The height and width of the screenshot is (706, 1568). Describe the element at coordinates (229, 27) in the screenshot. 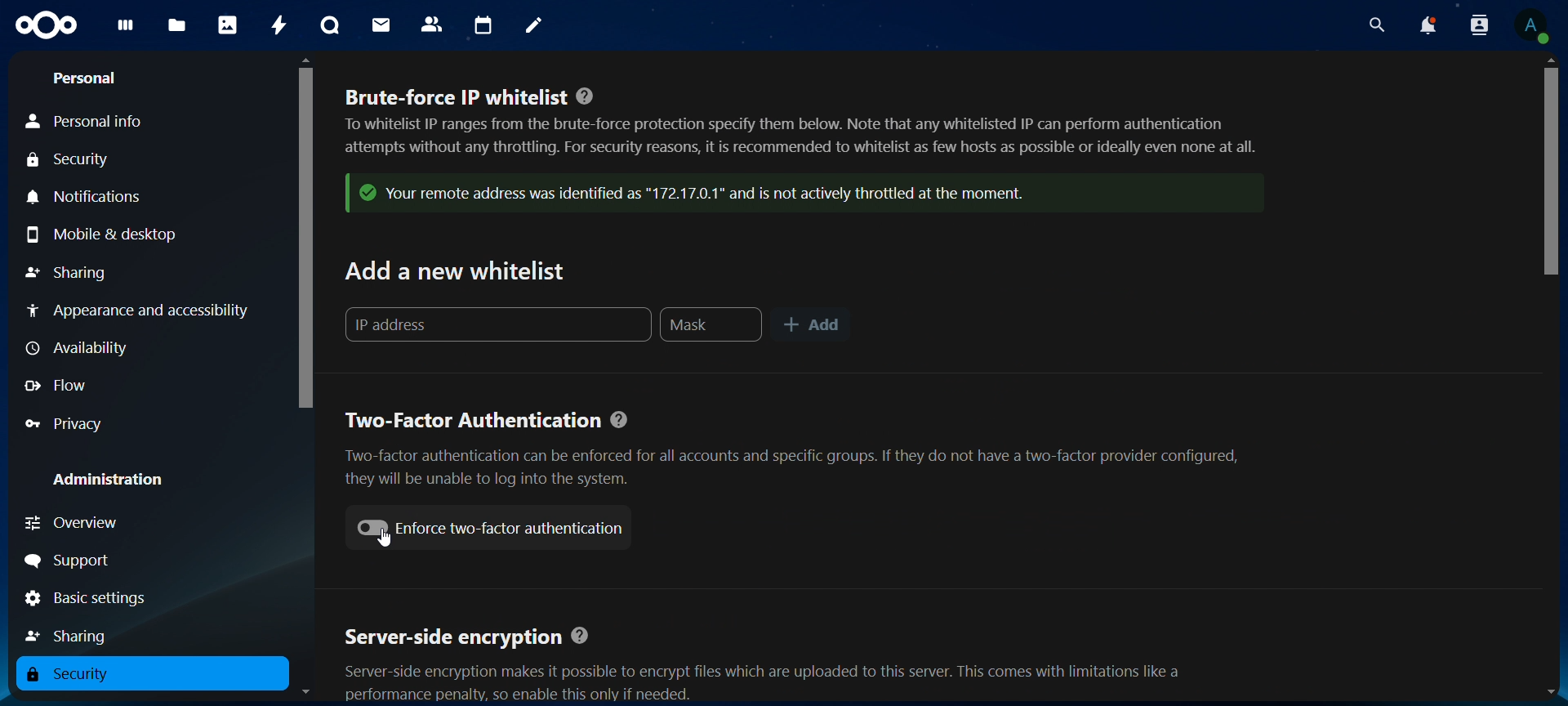

I see `photos` at that location.